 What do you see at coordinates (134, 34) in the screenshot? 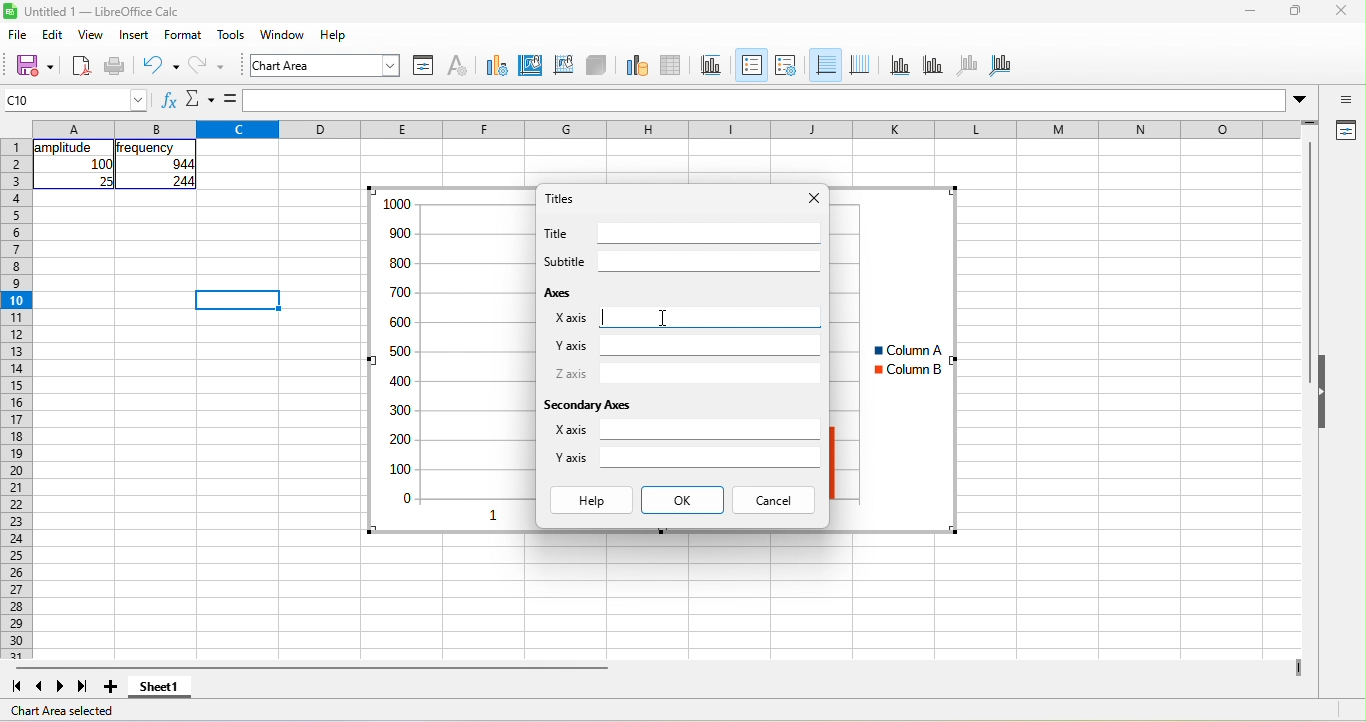
I see `insert` at bounding box center [134, 34].